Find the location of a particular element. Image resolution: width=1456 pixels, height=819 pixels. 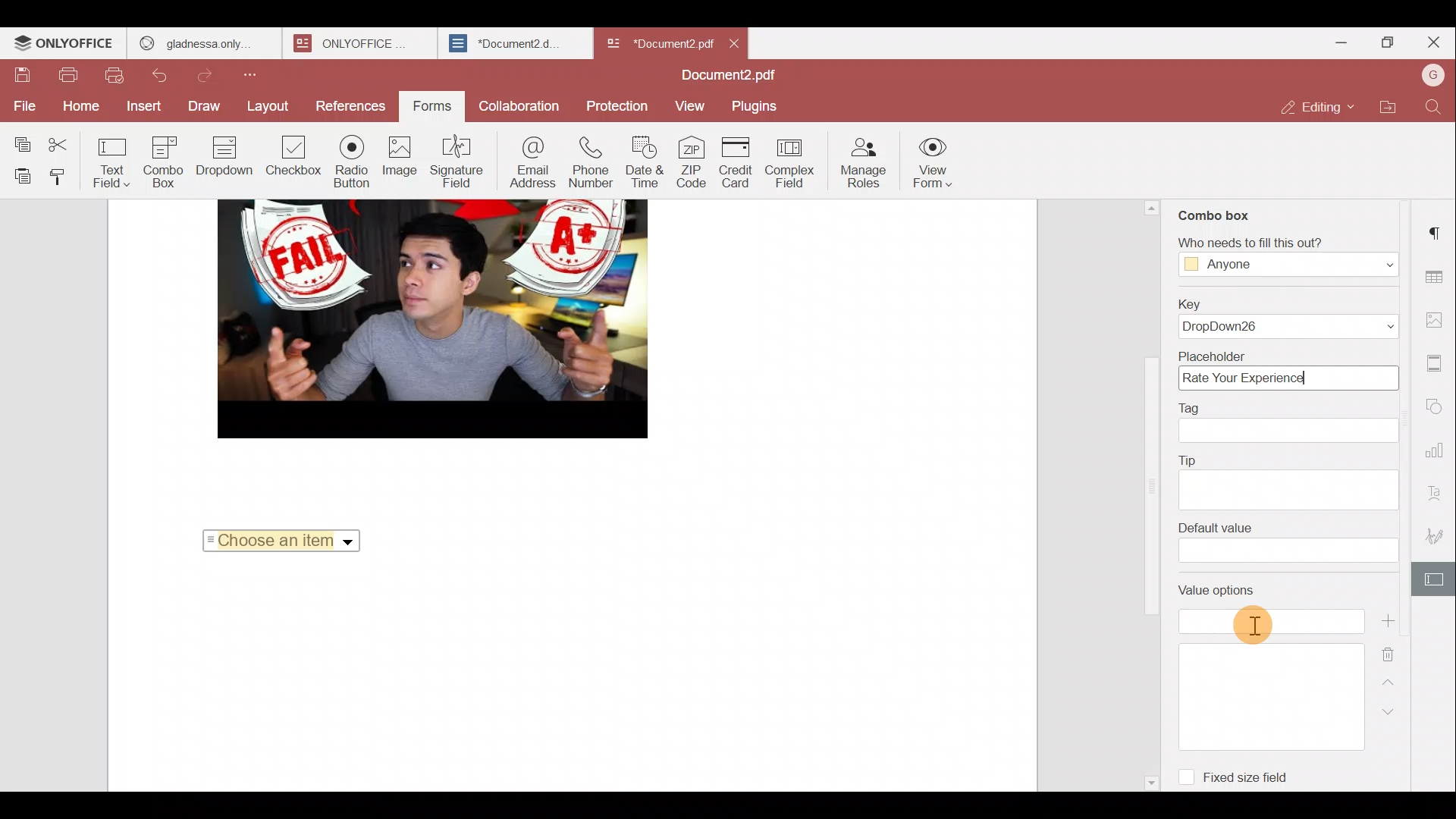

Copy style is located at coordinates (65, 177).